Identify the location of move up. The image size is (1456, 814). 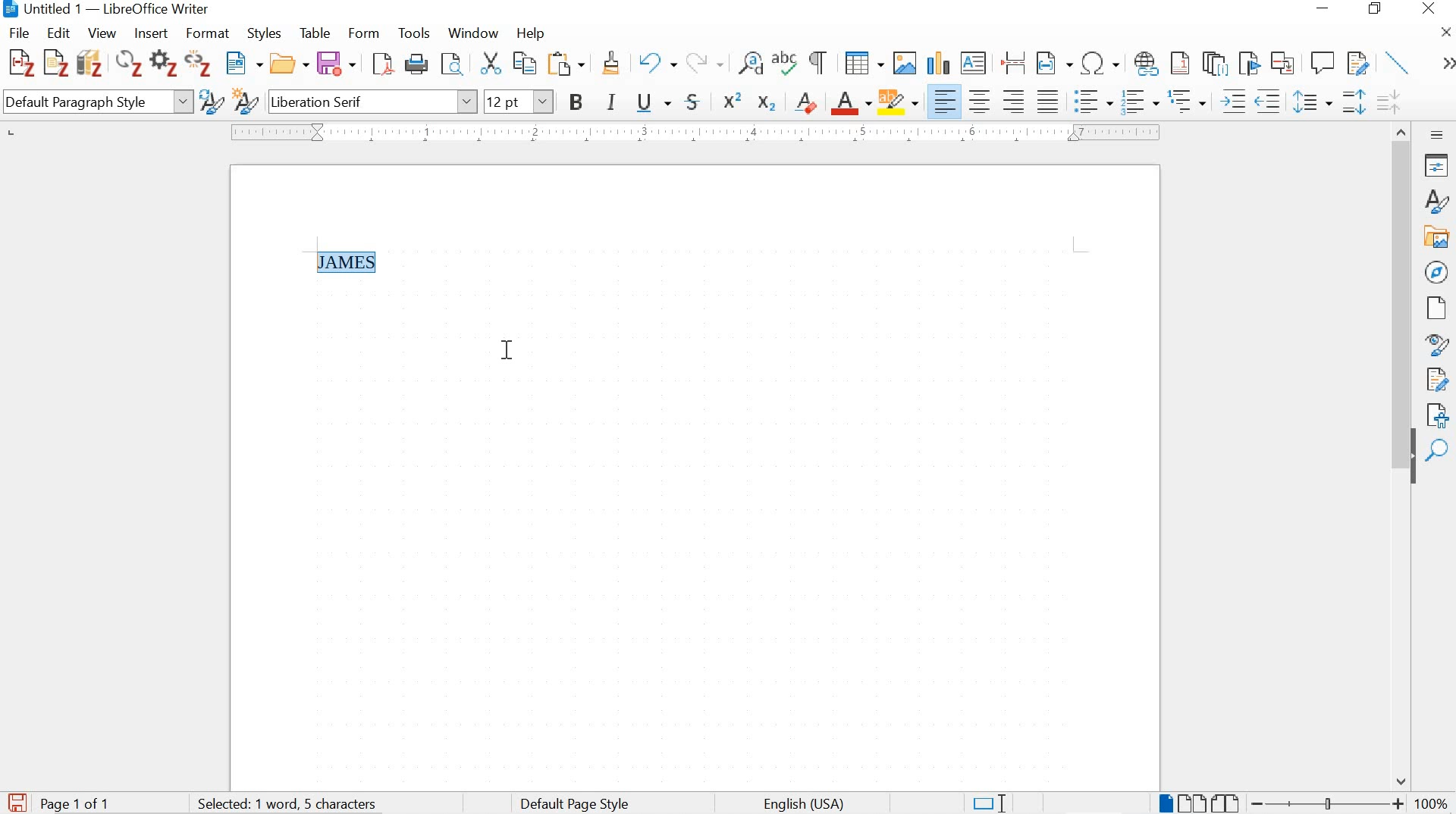
(1403, 129).